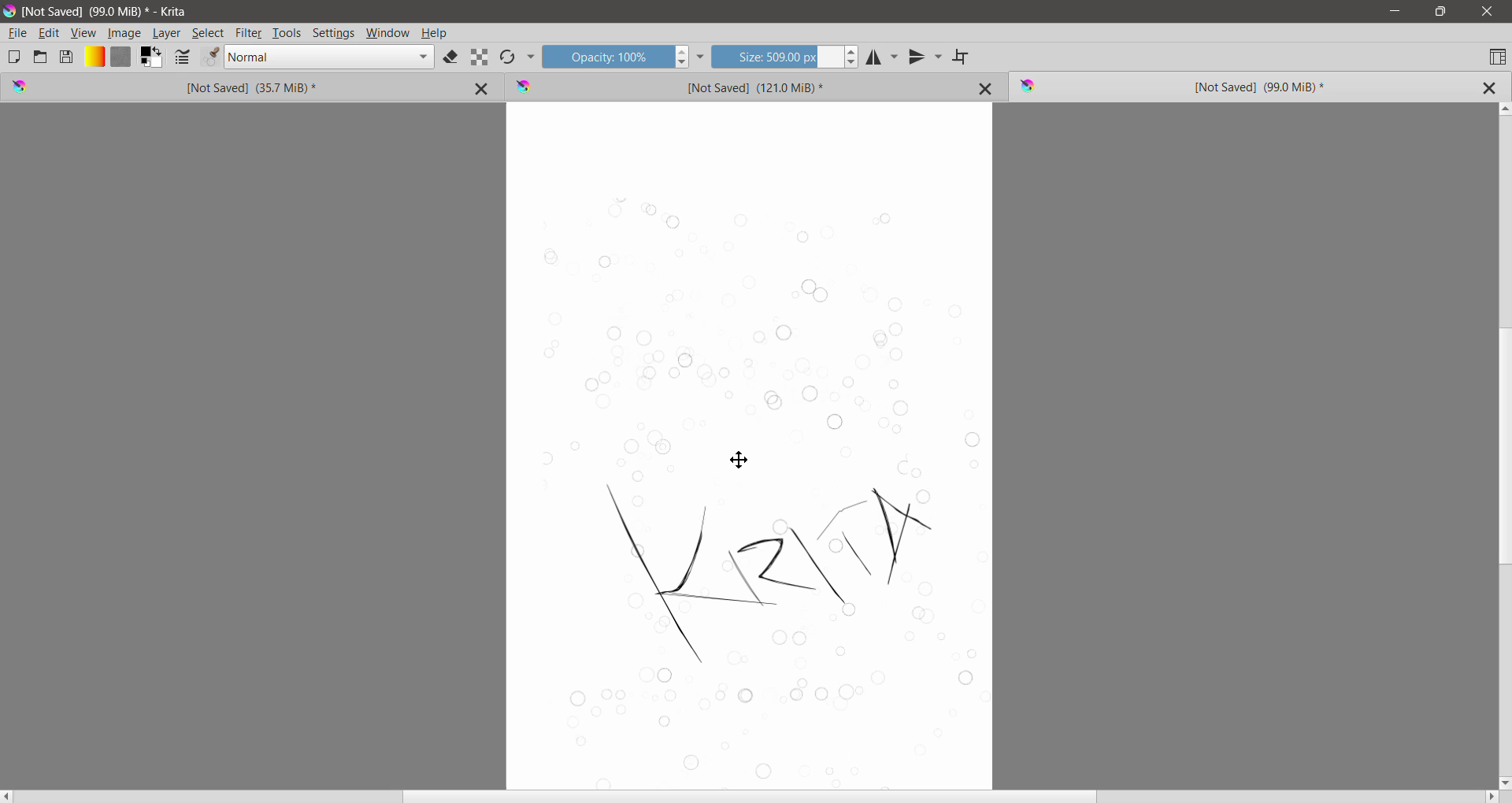  I want to click on Blending mode, so click(329, 57).